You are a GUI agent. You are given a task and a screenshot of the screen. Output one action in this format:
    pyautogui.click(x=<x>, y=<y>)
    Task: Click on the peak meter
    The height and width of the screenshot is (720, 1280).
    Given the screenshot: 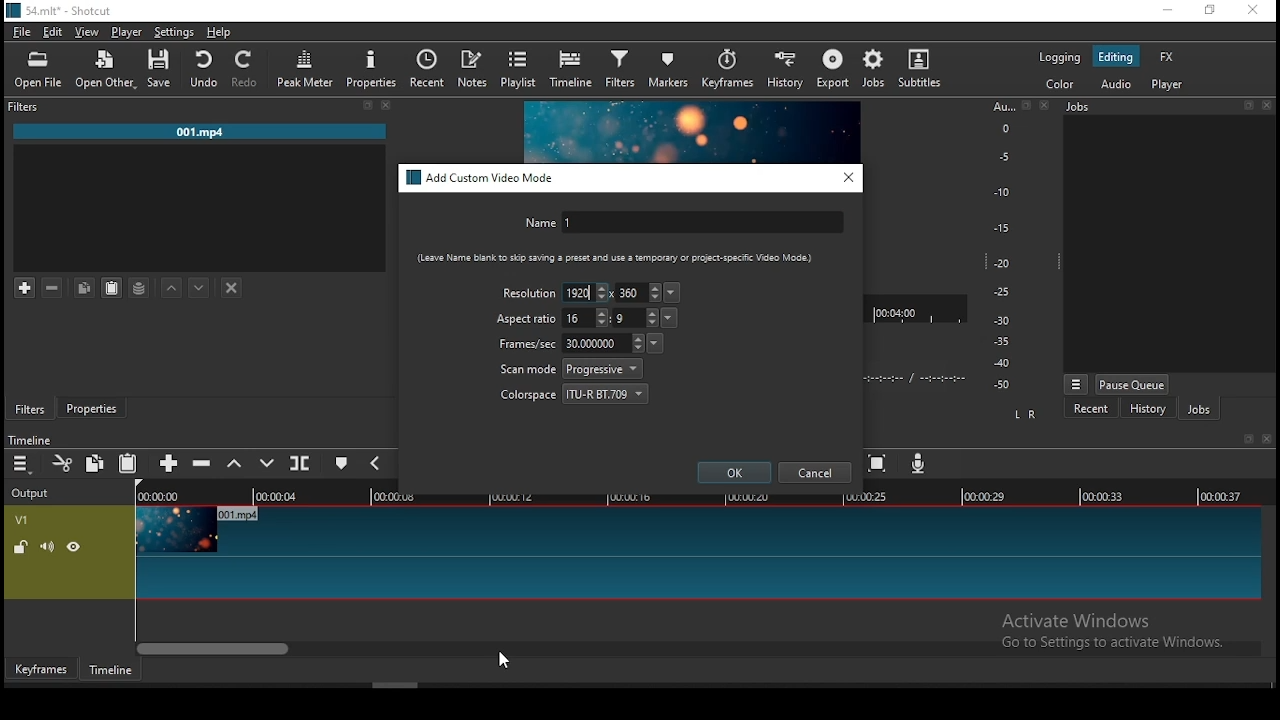 What is the action you would take?
    pyautogui.click(x=305, y=69)
    